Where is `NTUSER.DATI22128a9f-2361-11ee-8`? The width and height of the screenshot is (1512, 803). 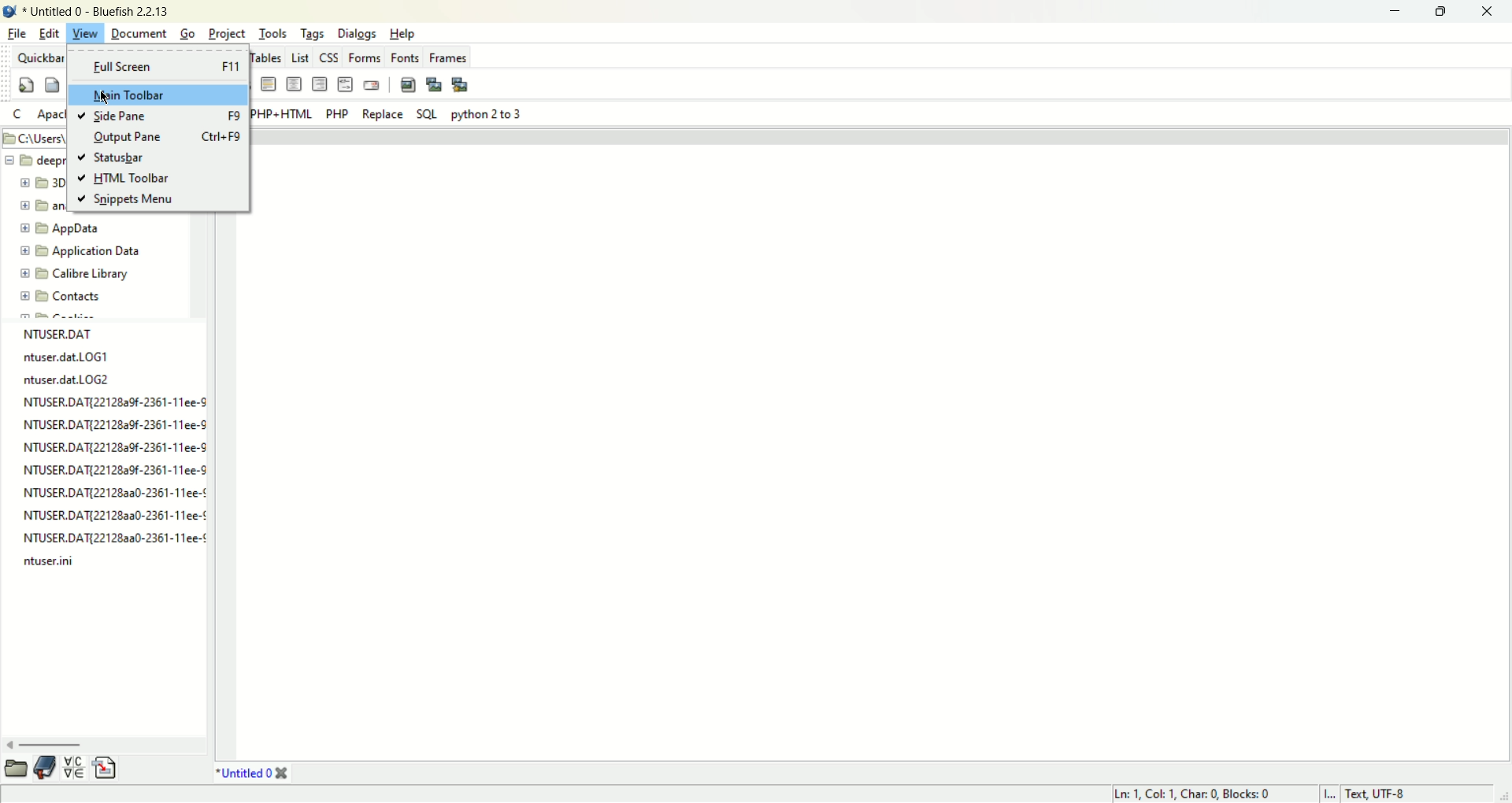
NTUSER.DATI22128a9f-2361-11ee-8 is located at coordinates (116, 468).